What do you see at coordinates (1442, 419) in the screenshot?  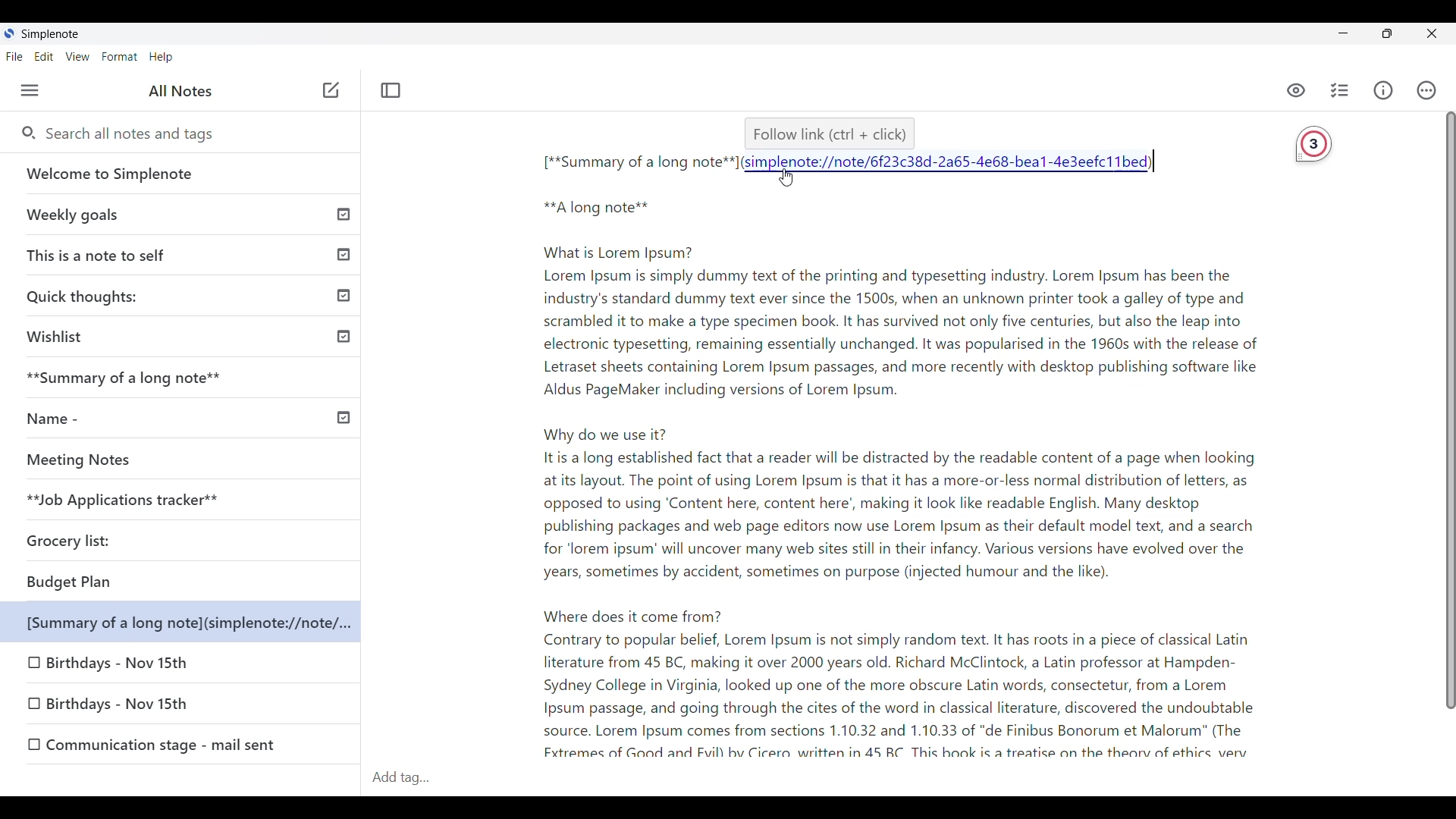 I see `Vertical scroll bar` at bounding box center [1442, 419].